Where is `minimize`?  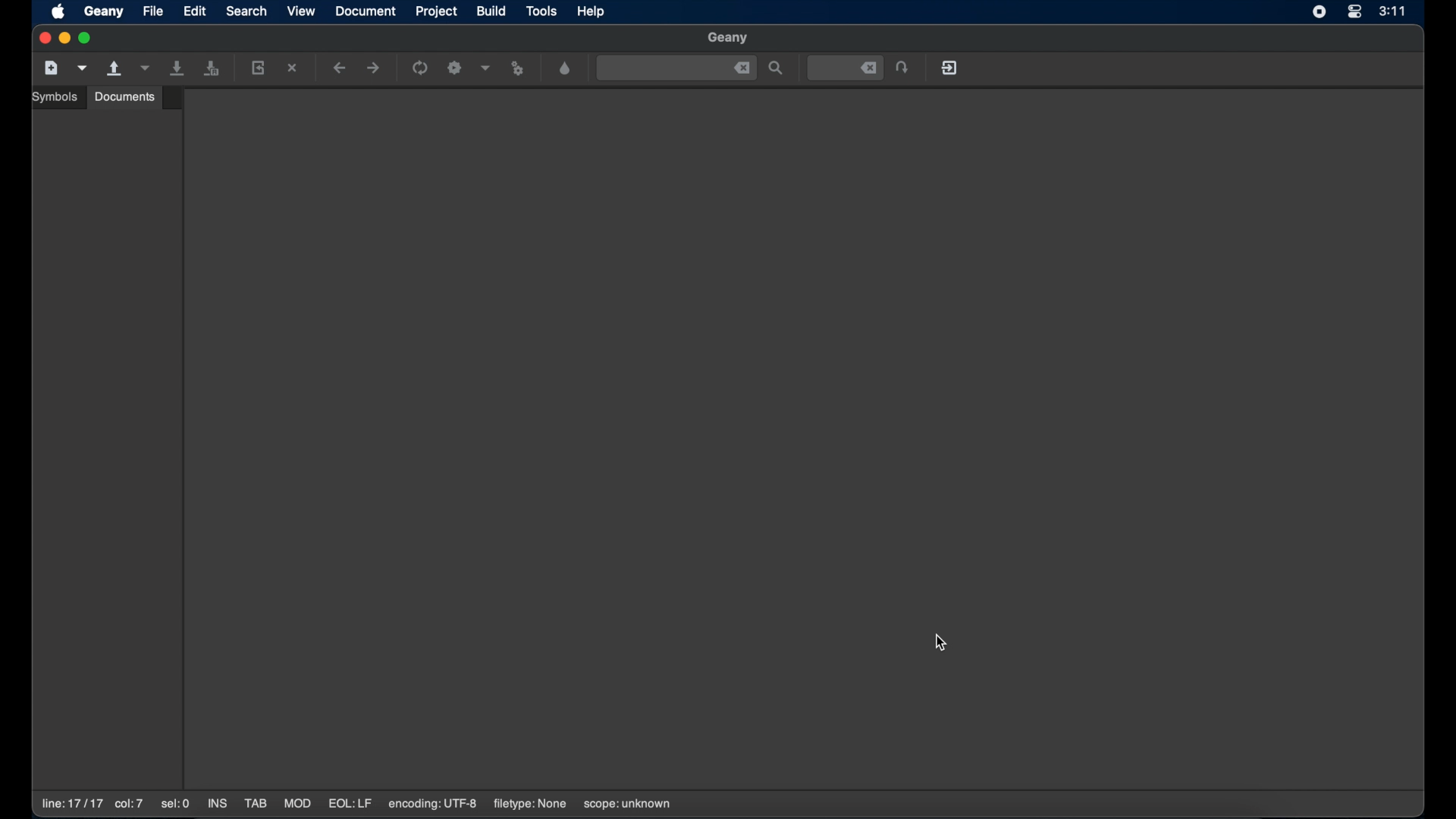
minimize is located at coordinates (65, 39).